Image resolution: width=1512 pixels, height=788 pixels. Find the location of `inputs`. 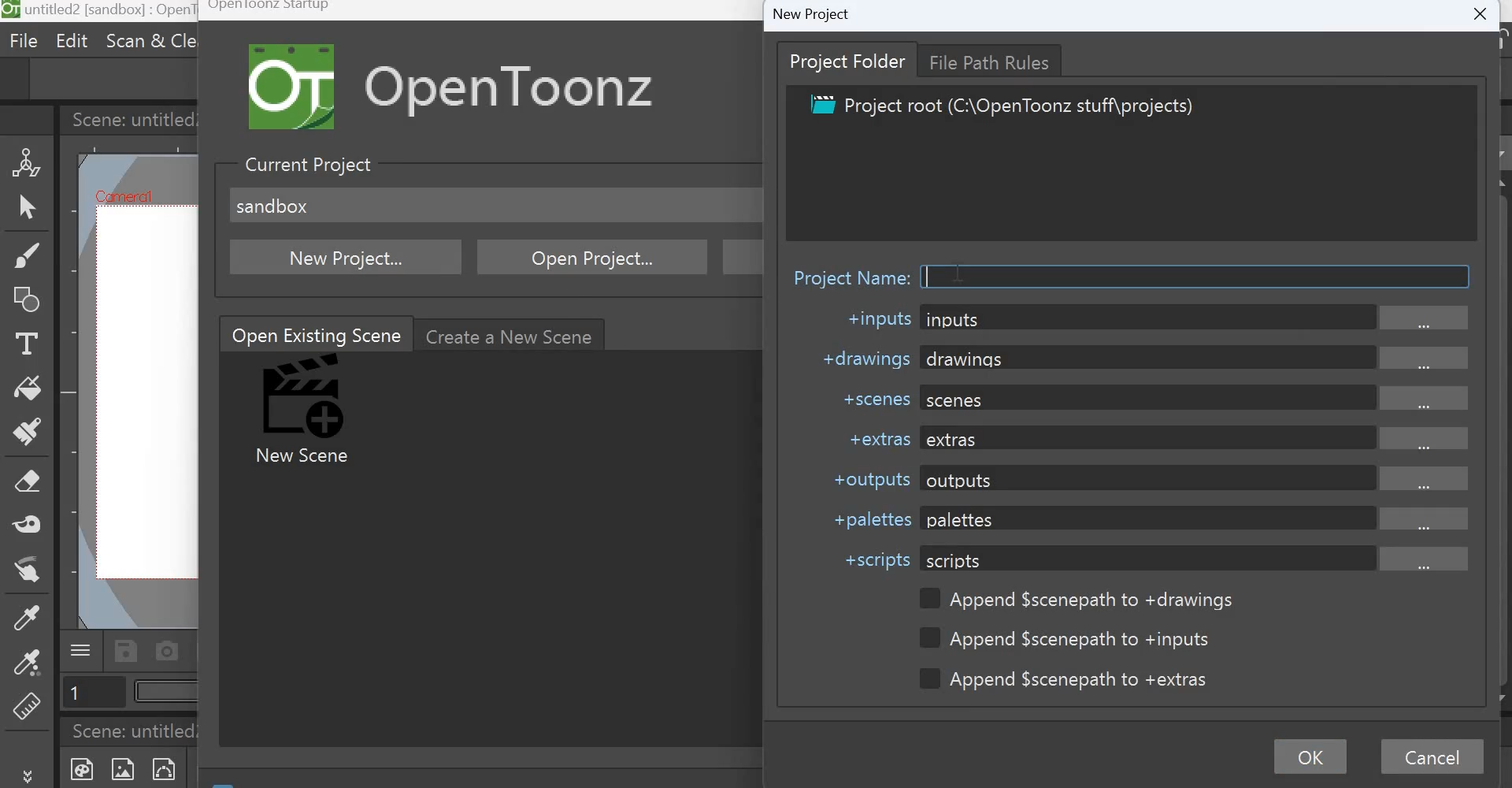

inputs is located at coordinates (1198, 318).